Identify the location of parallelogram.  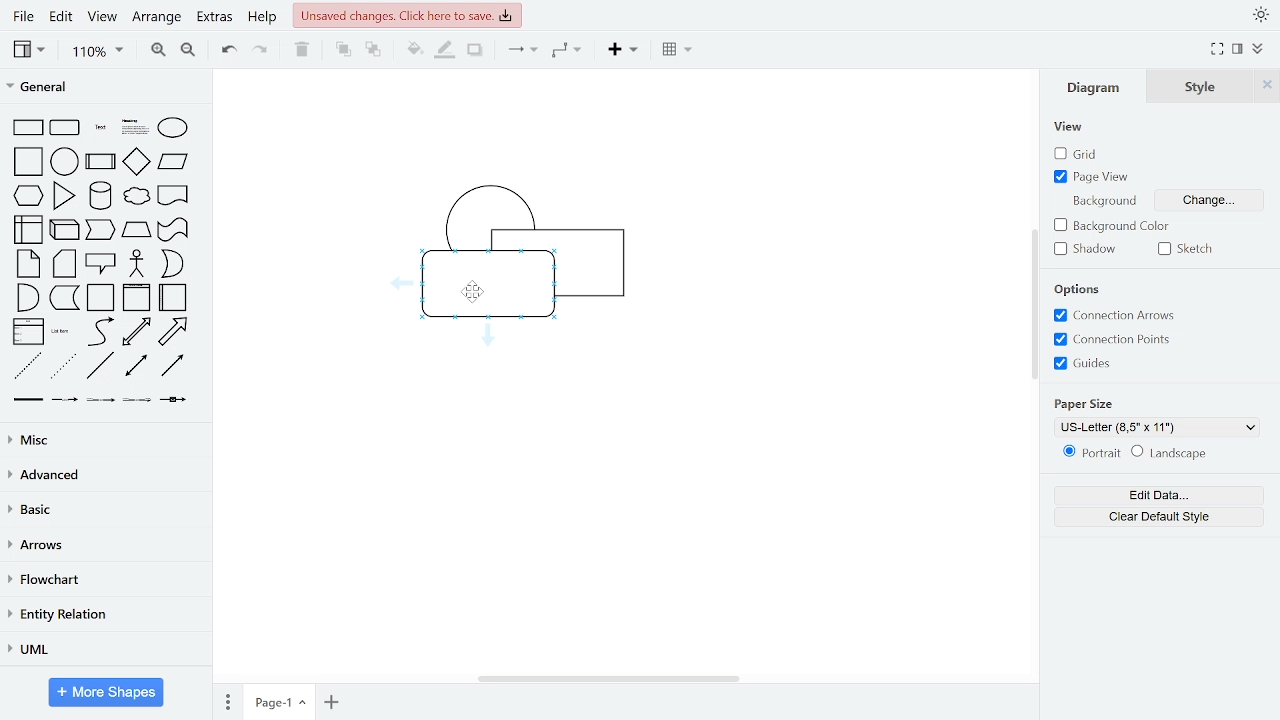
(173, 163).